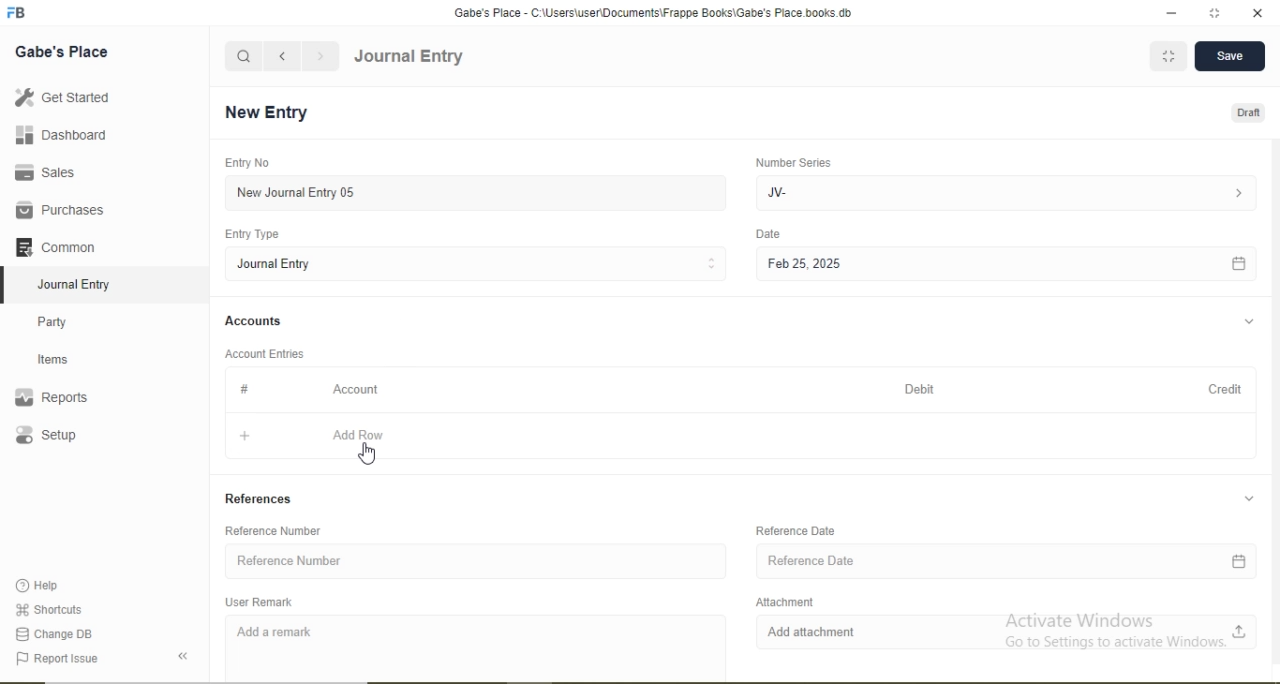 The image size is (1280, 684). I want to click on Date, so click(769, 234).